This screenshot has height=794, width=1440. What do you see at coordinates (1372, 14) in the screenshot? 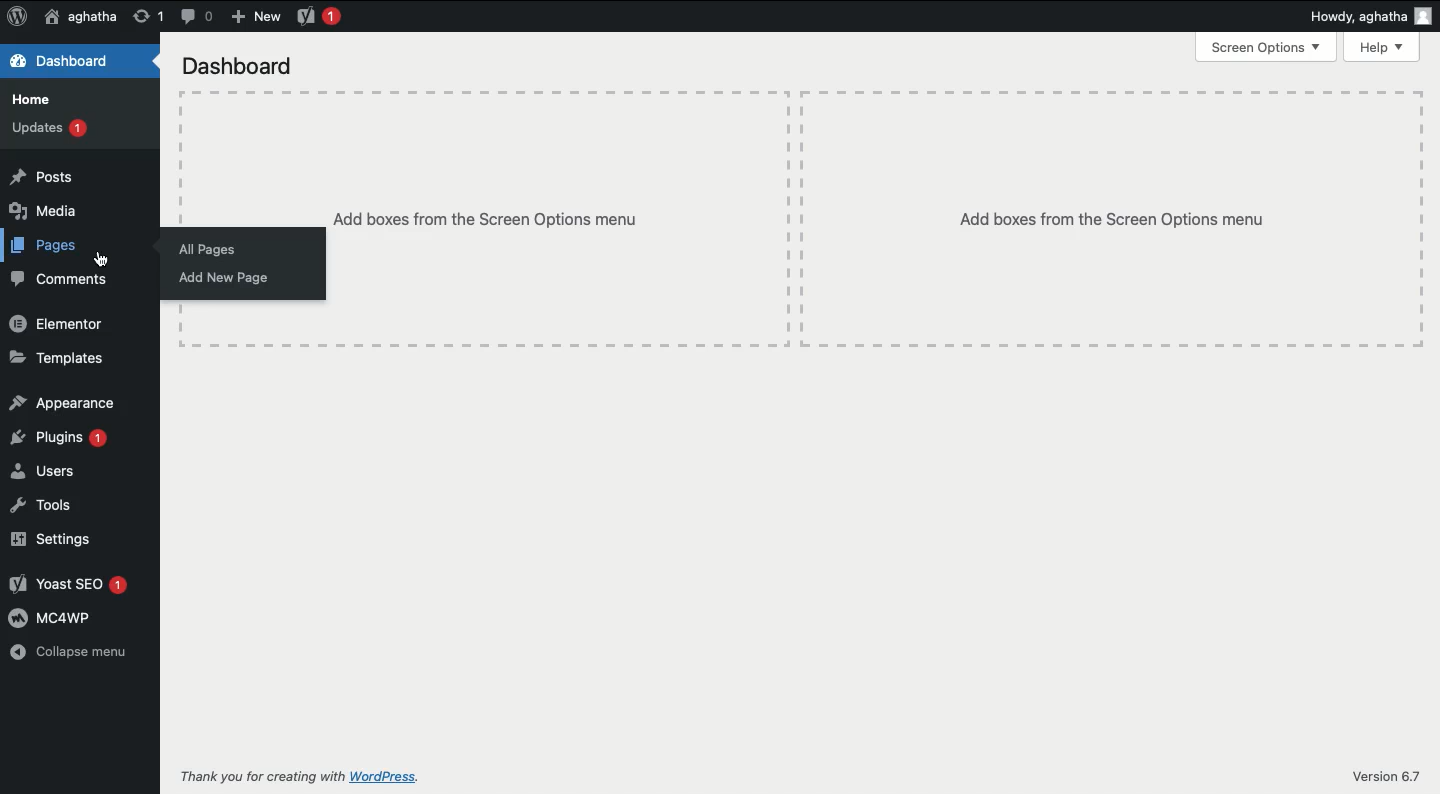
I see `Howdy user` at bounding box center [1372, 14].